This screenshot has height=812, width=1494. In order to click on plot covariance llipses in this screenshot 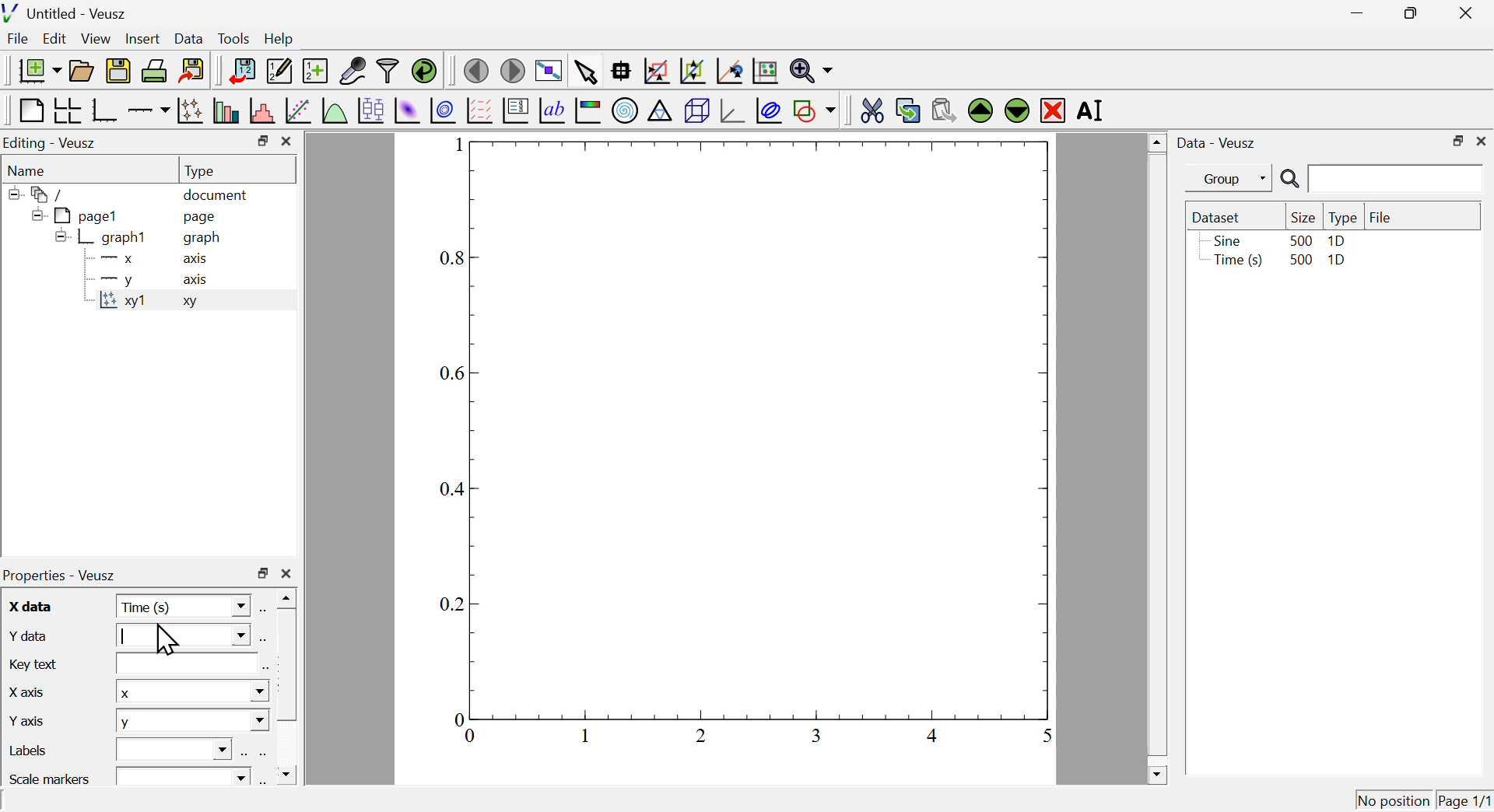, I will do `click(771, 110)`.